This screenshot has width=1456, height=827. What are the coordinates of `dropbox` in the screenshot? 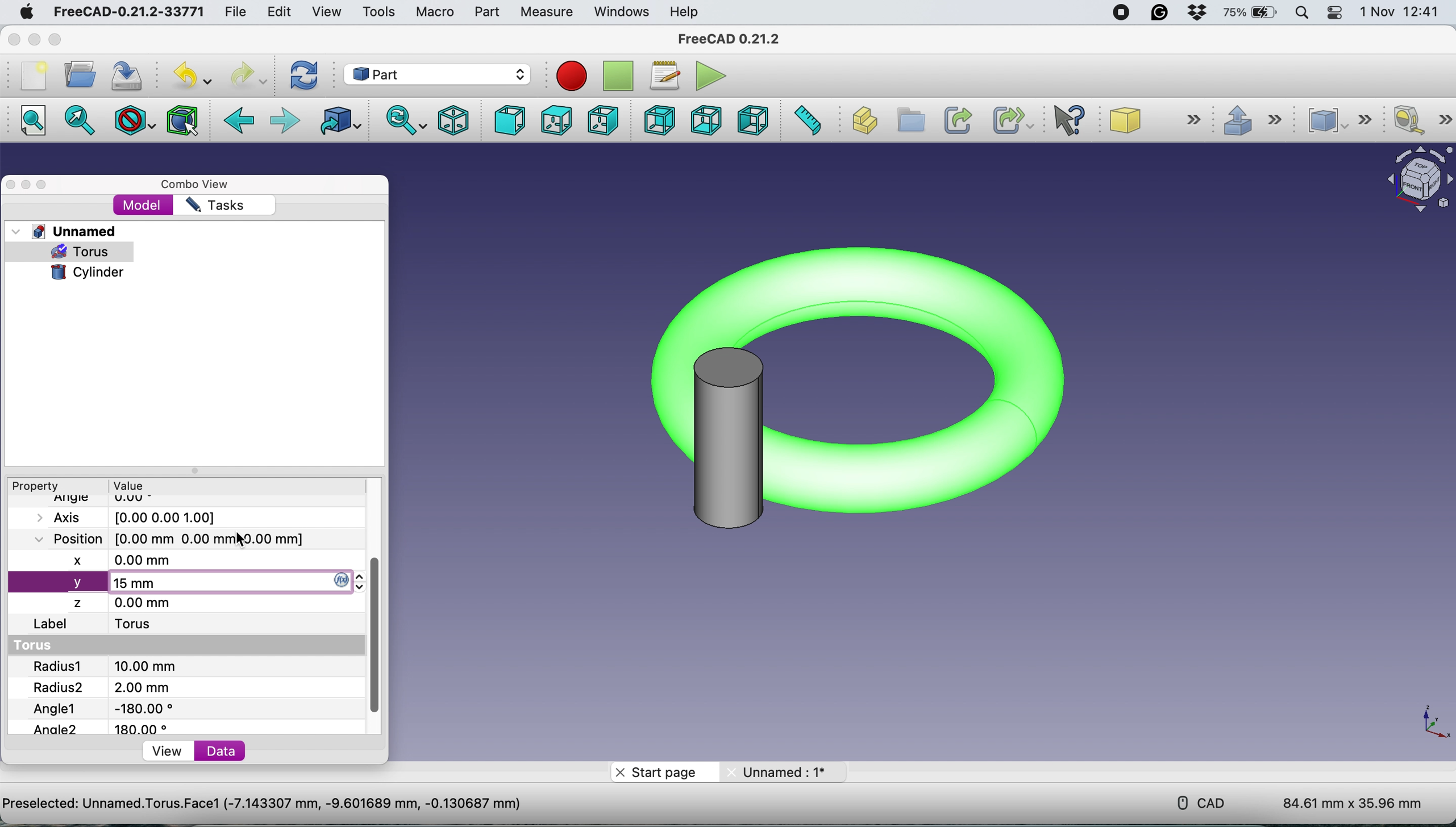 It's located at (1196, 13).